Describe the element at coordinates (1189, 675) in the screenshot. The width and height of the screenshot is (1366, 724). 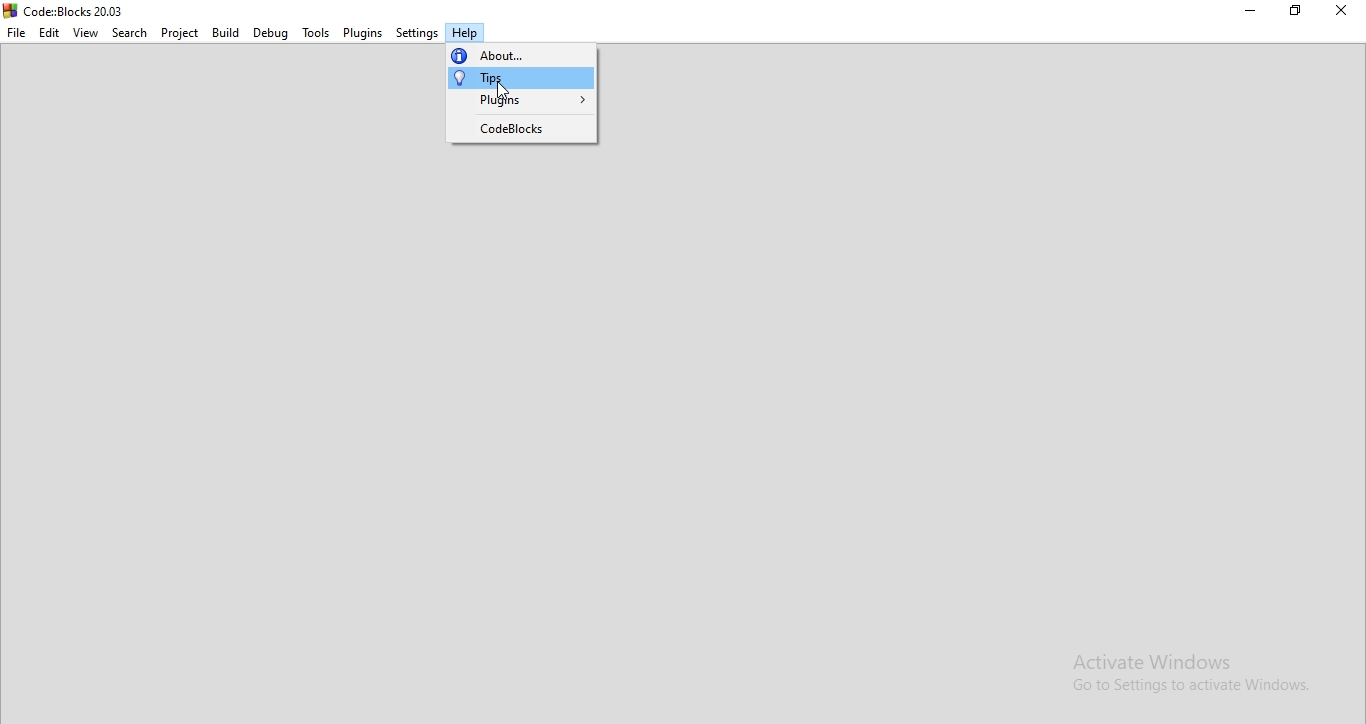
I see `Activate Windows` at that location.